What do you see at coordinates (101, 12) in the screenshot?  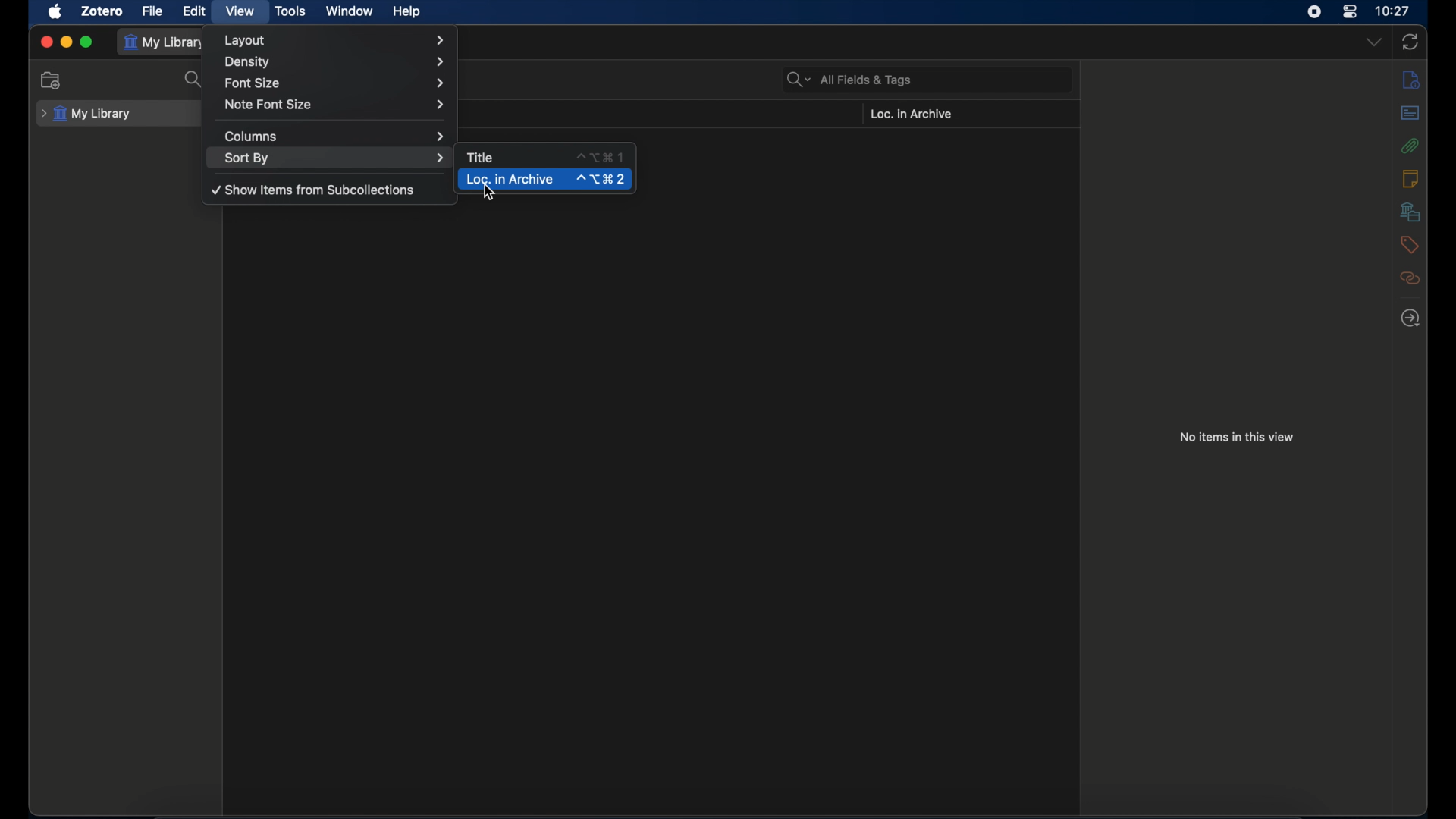 I see `zotero` at bounding box center [101, 12].